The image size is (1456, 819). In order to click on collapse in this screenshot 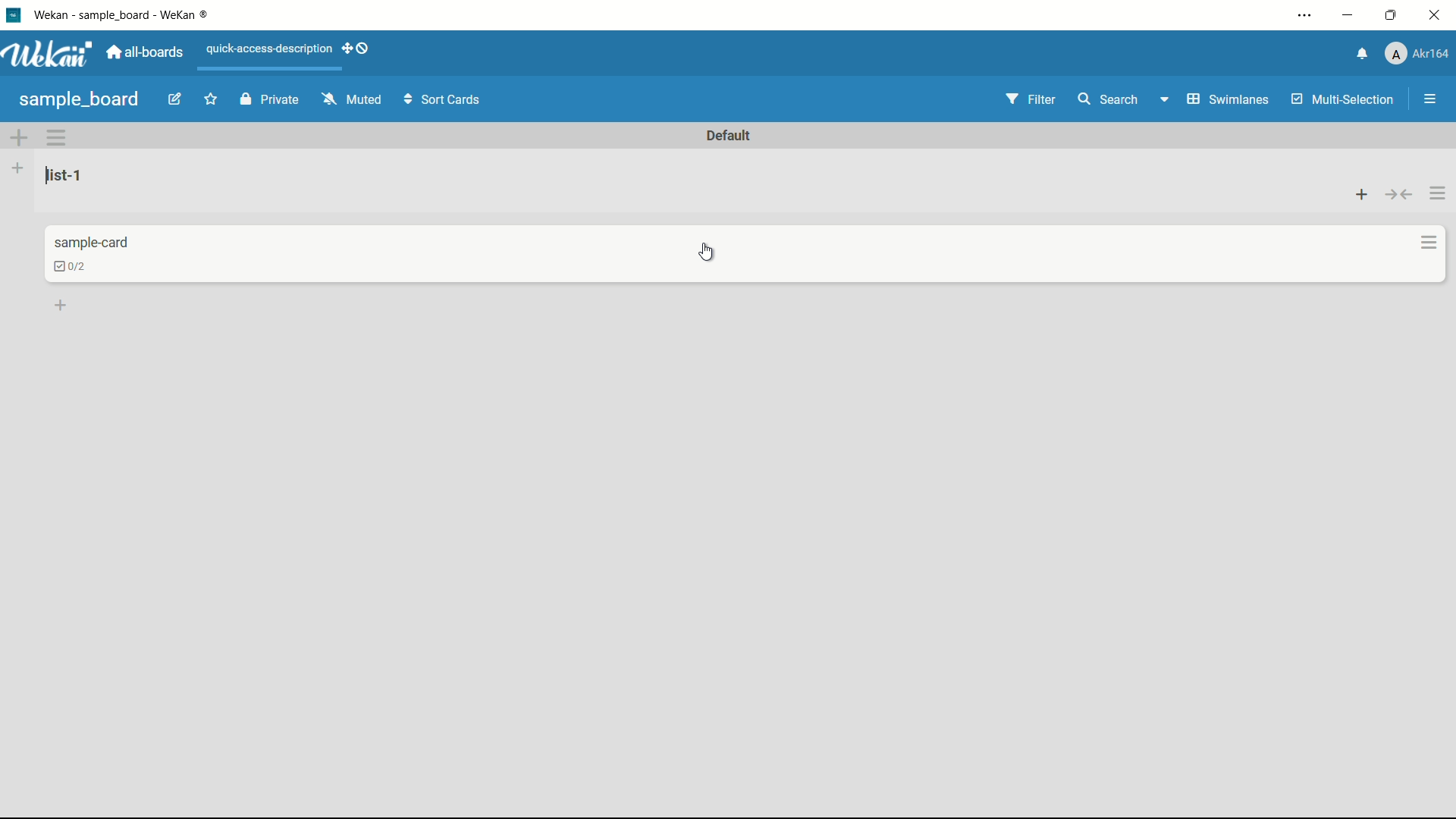, I will do `click(1400, 196)`.